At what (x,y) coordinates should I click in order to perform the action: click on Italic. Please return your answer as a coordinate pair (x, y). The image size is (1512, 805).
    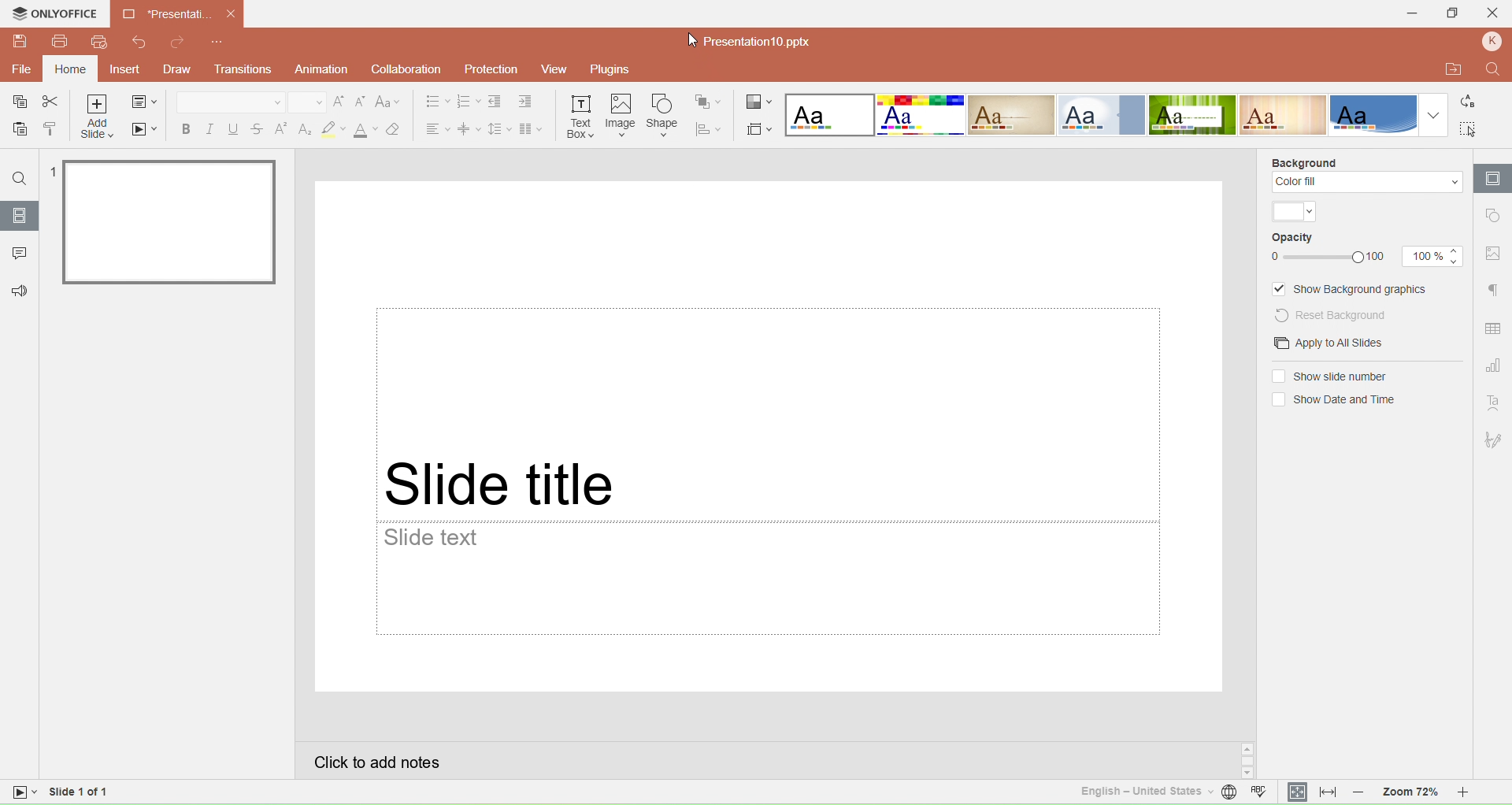
    Looking at the image, I should click on (208, 128).